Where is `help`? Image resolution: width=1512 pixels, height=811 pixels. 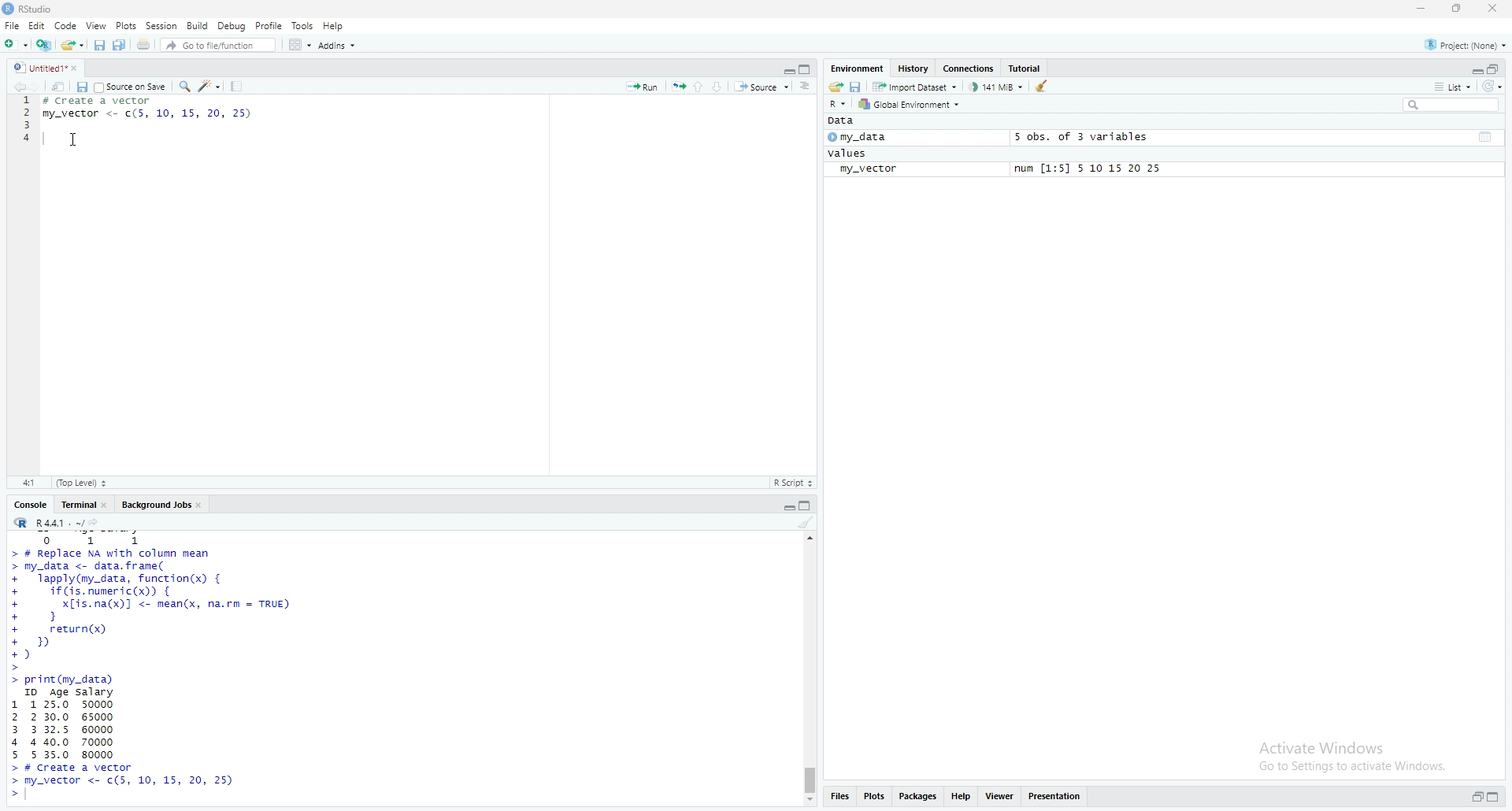 help is located at coordinates (333, 26).